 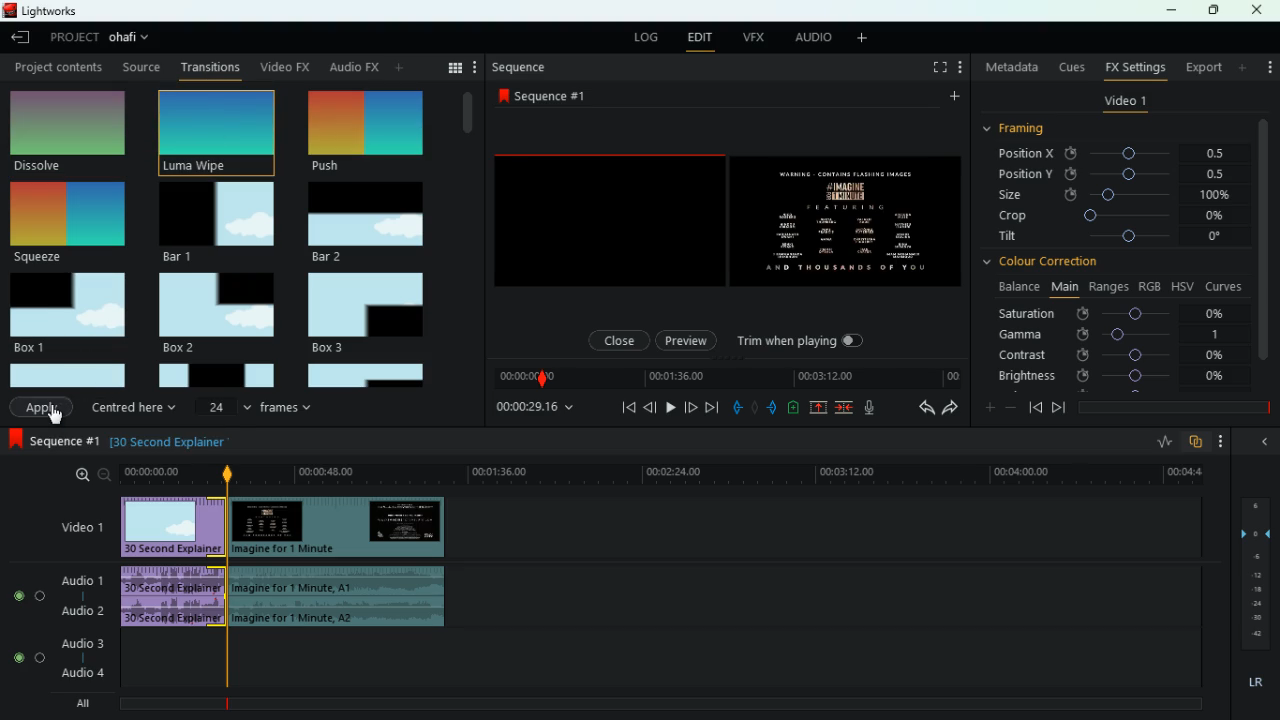 What do you see at coordinates (805, 341) in the screenshot?
I see `trim when playing` at bounding box center [805, 341].